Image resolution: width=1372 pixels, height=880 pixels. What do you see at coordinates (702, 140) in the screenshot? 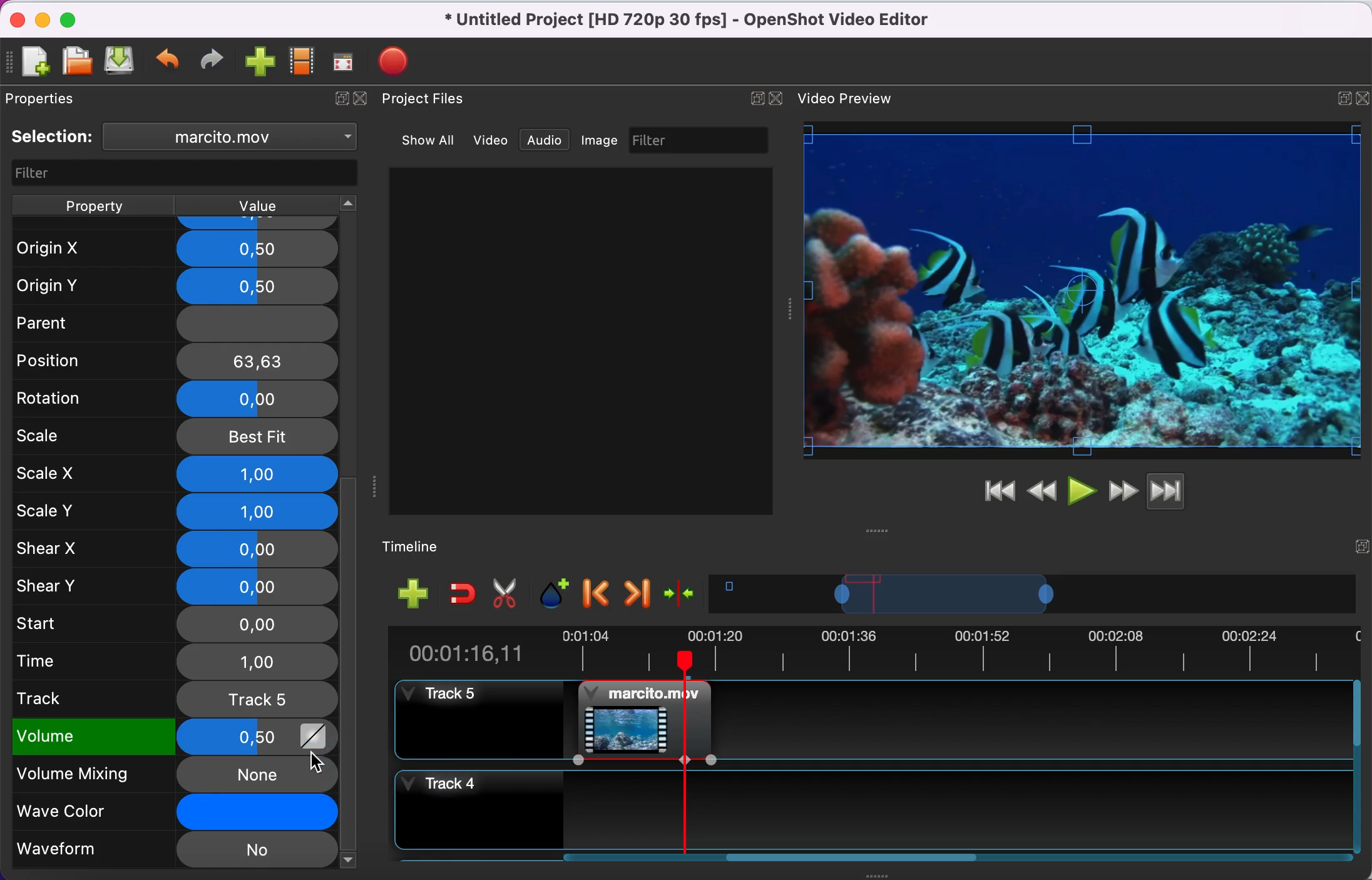
I see `filter` at bounding box center [702, 140].